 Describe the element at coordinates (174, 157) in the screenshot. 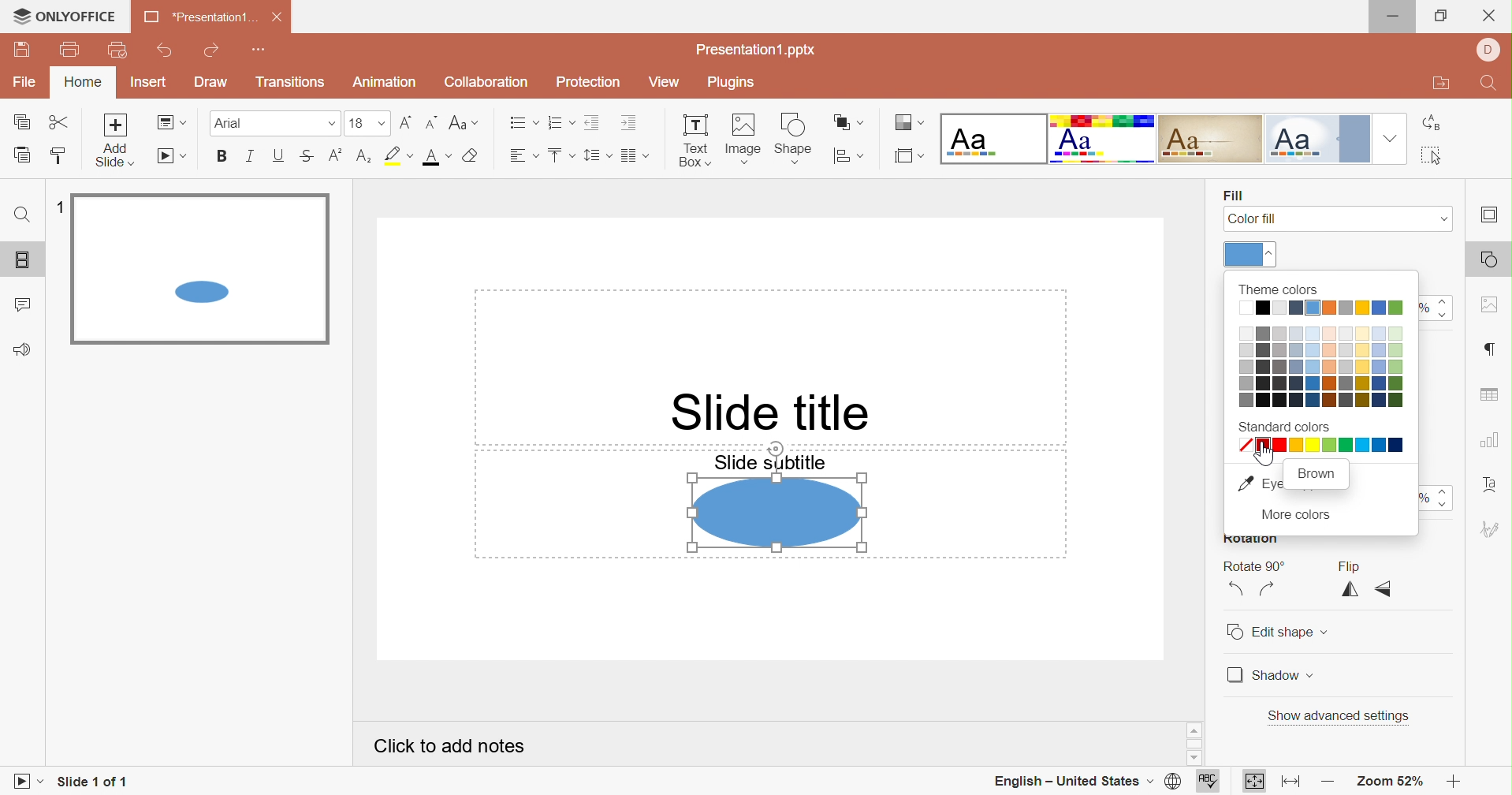

I see `Start slideshow` at that location.